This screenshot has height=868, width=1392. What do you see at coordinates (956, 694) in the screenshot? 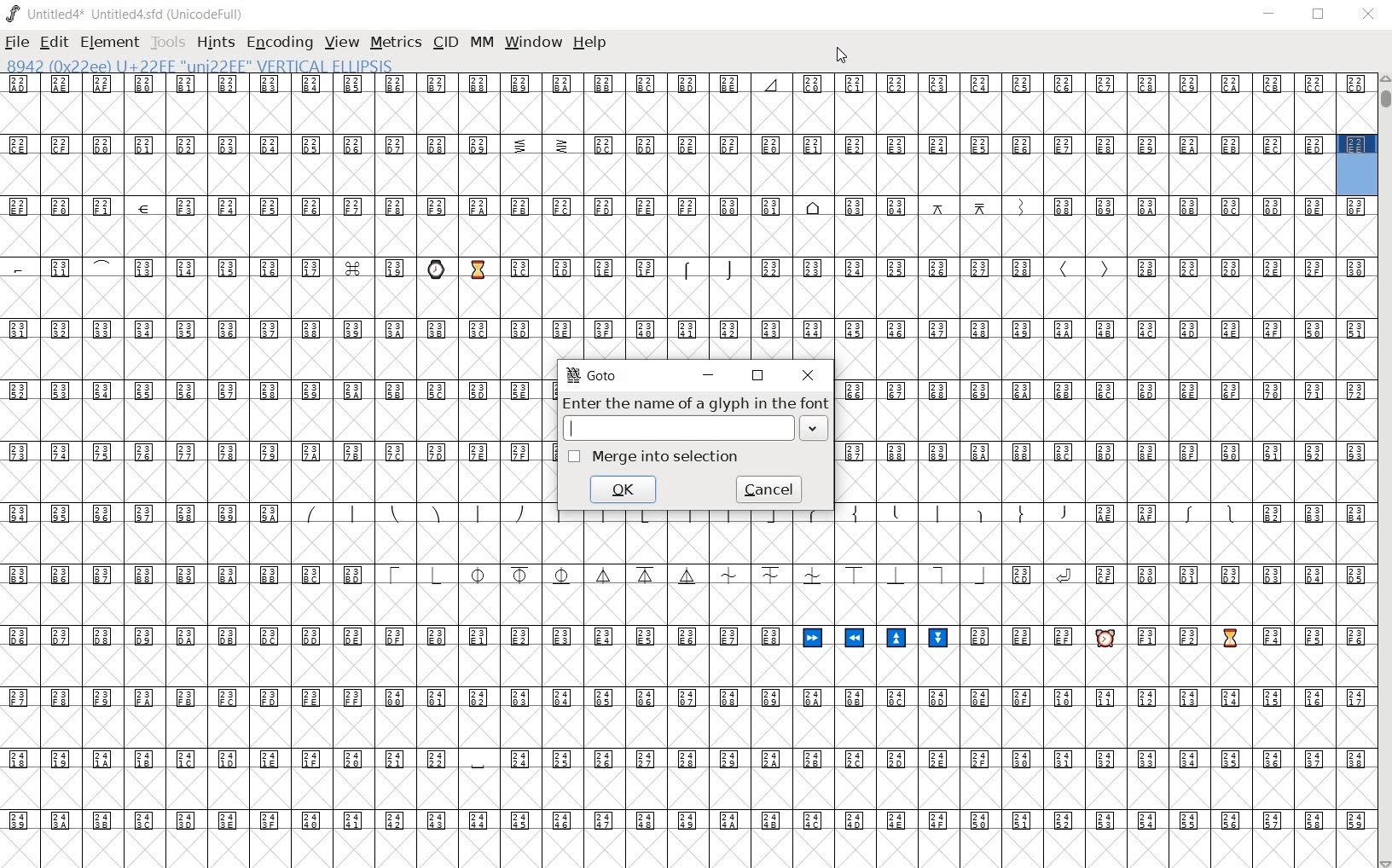
I see `glyph characters` at bounding box center [956, 694].